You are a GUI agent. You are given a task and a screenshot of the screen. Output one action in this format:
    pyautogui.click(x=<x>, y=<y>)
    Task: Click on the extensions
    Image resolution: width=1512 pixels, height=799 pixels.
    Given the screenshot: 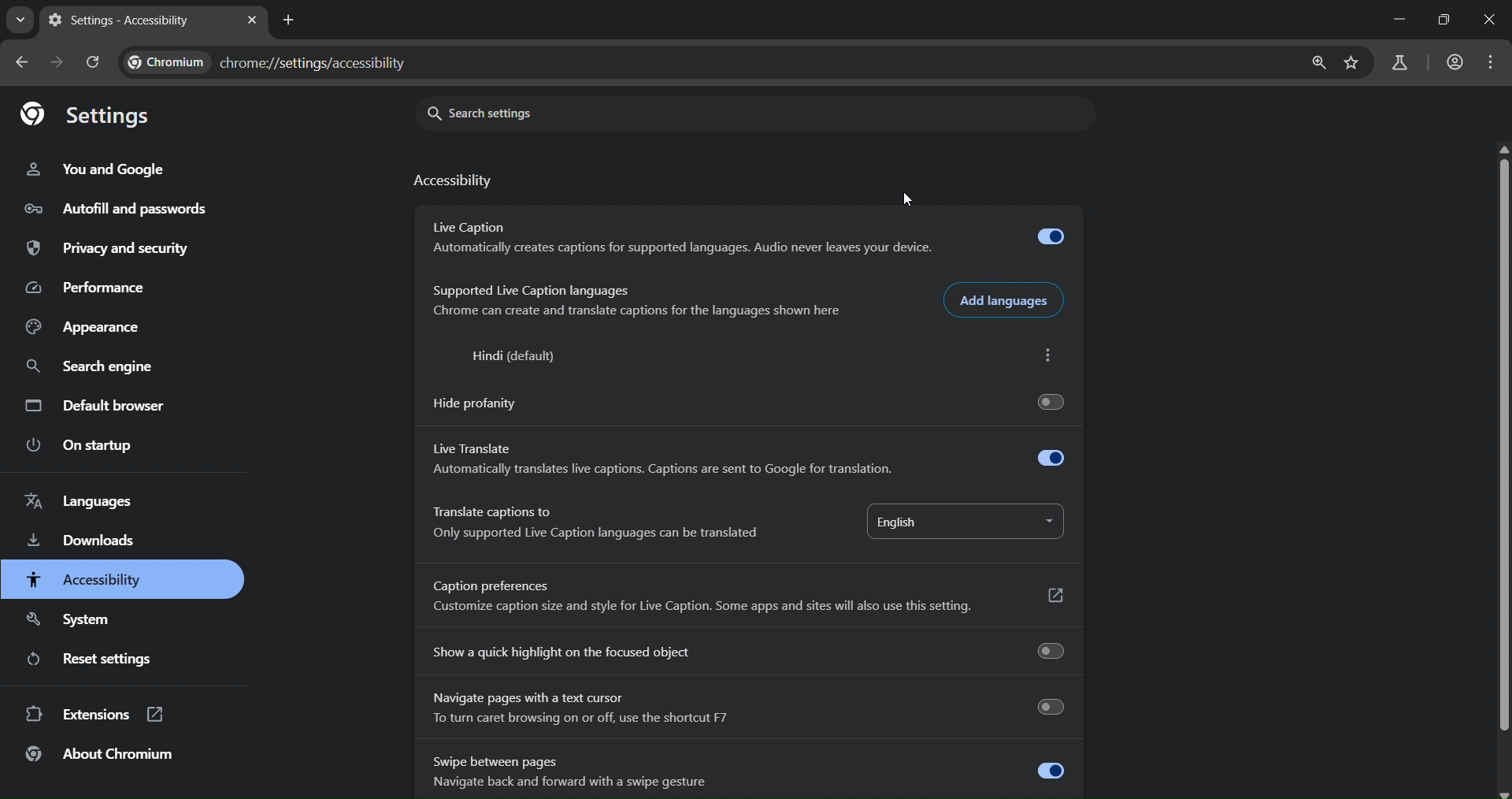 What is the action you would take?
    pyautogui.click(x=100, y=715)
    